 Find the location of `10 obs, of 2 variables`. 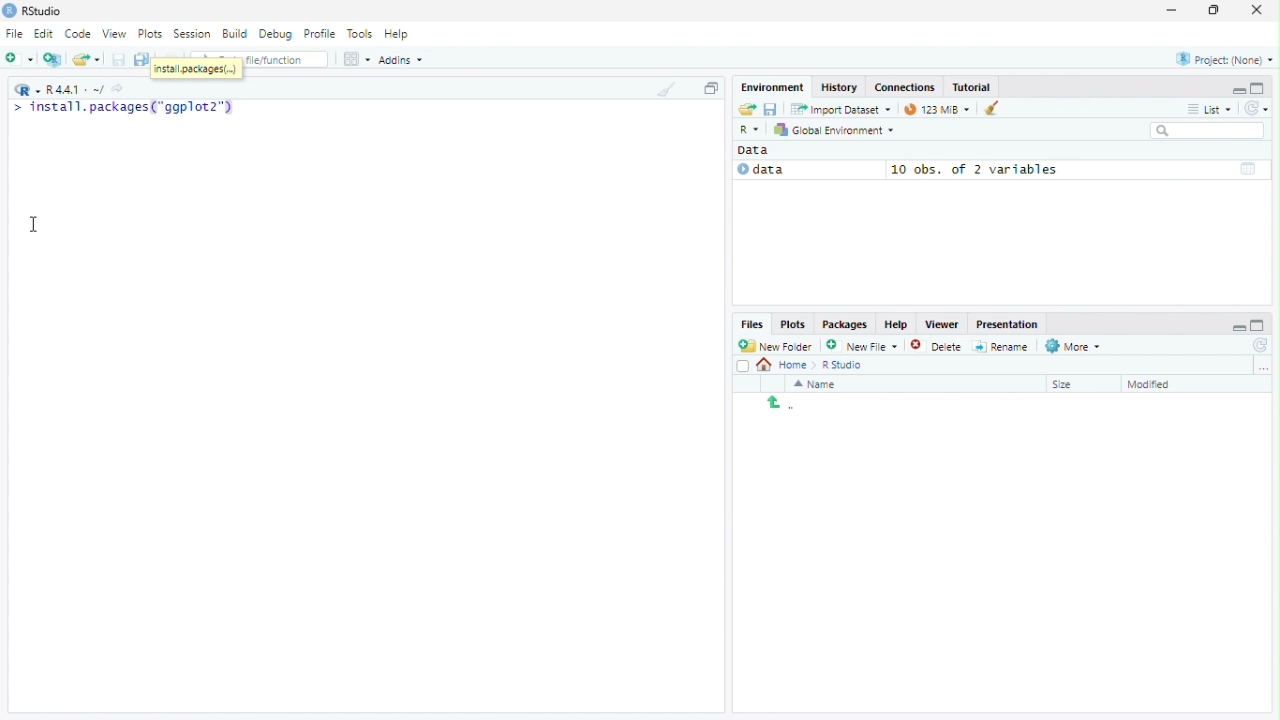

10 obs, of 2 variables is located at coordinates (1077, 169).